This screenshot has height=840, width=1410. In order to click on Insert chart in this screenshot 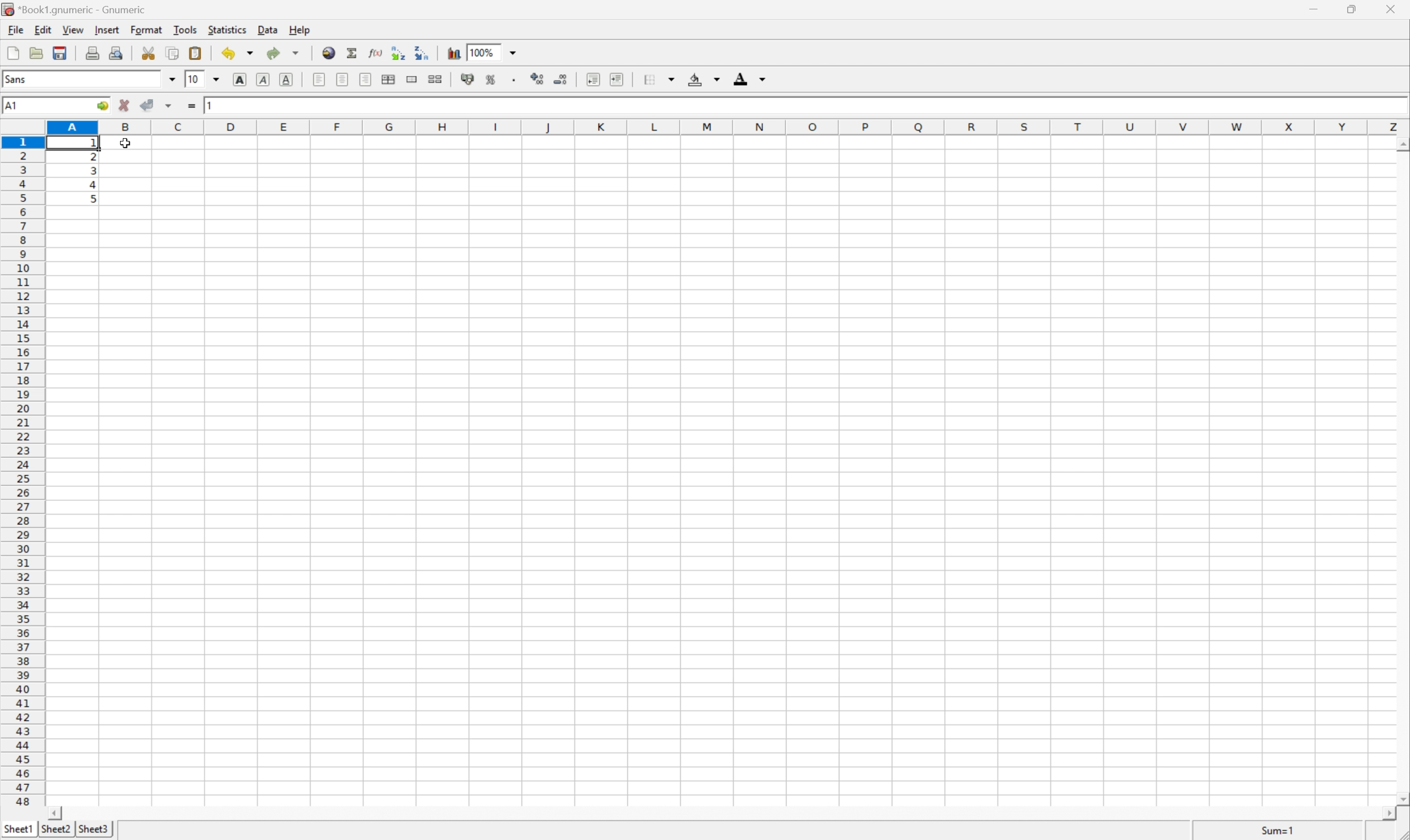, I will do `click(454, 52)`.